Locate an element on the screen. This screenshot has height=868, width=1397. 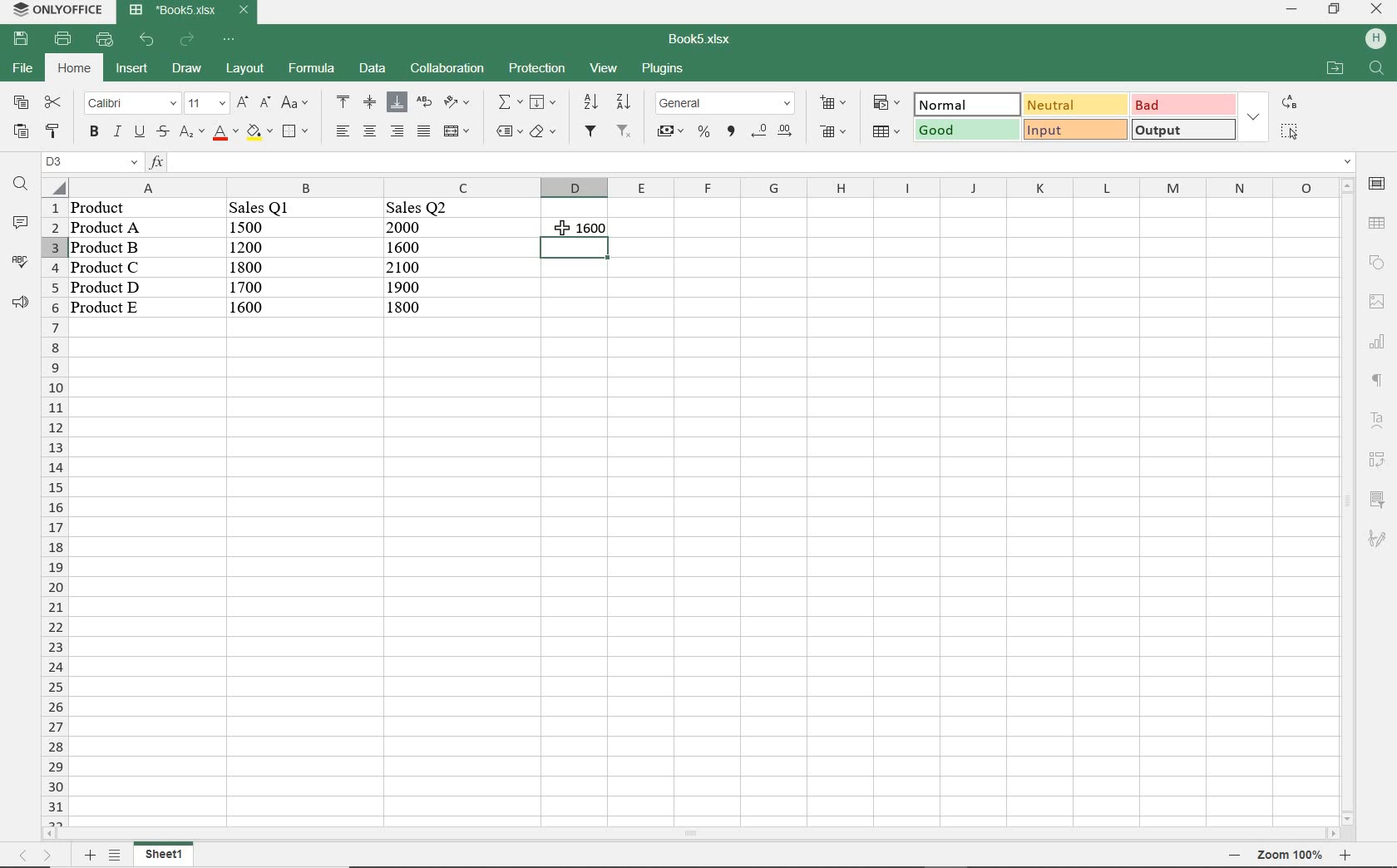
zoom out or zoom in is located at coordinates (1283, 856).